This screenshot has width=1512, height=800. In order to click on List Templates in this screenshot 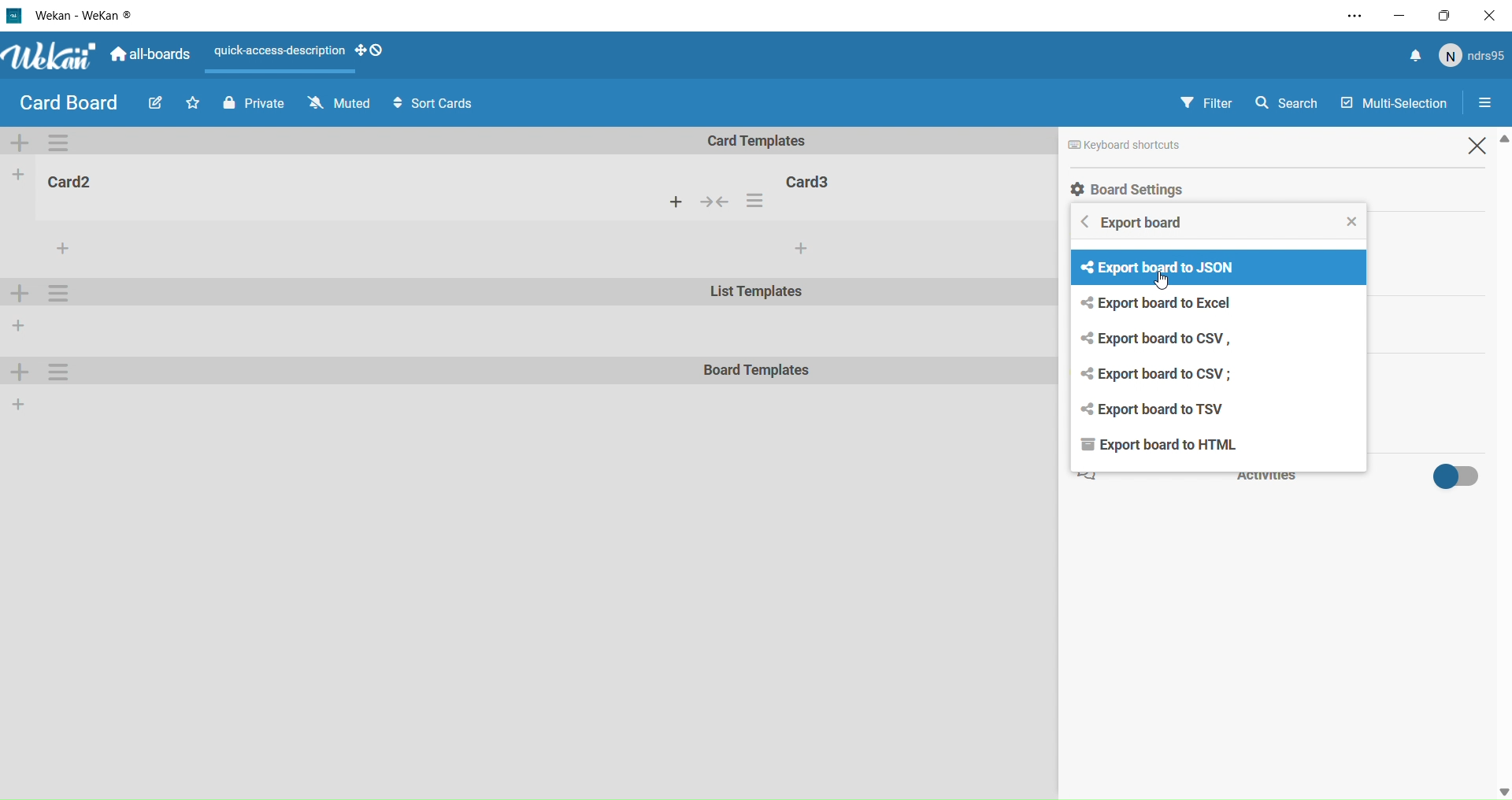, I will do `click(758, 294)`.